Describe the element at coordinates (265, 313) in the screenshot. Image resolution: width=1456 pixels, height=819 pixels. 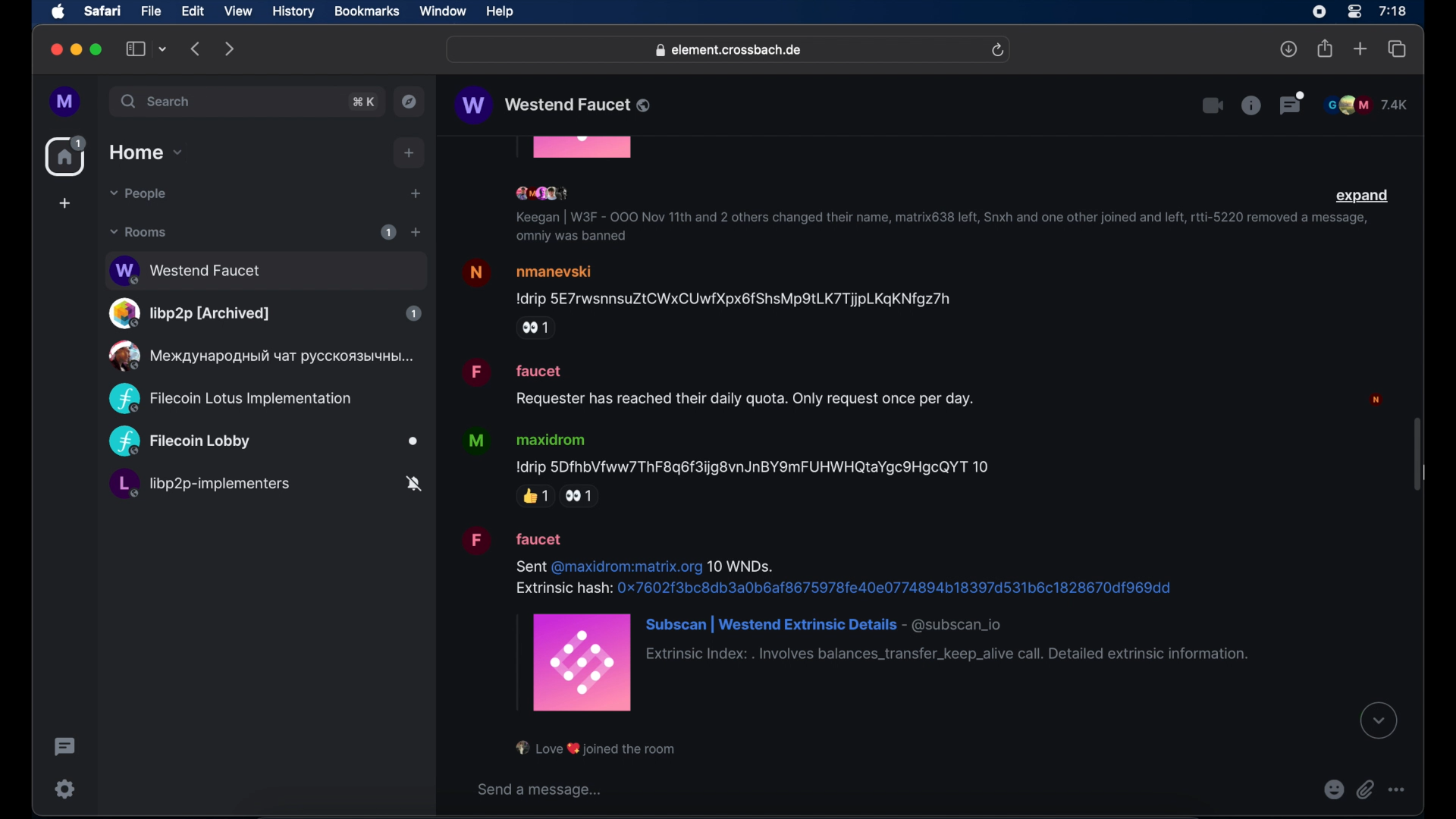
I see `public room` at that location.